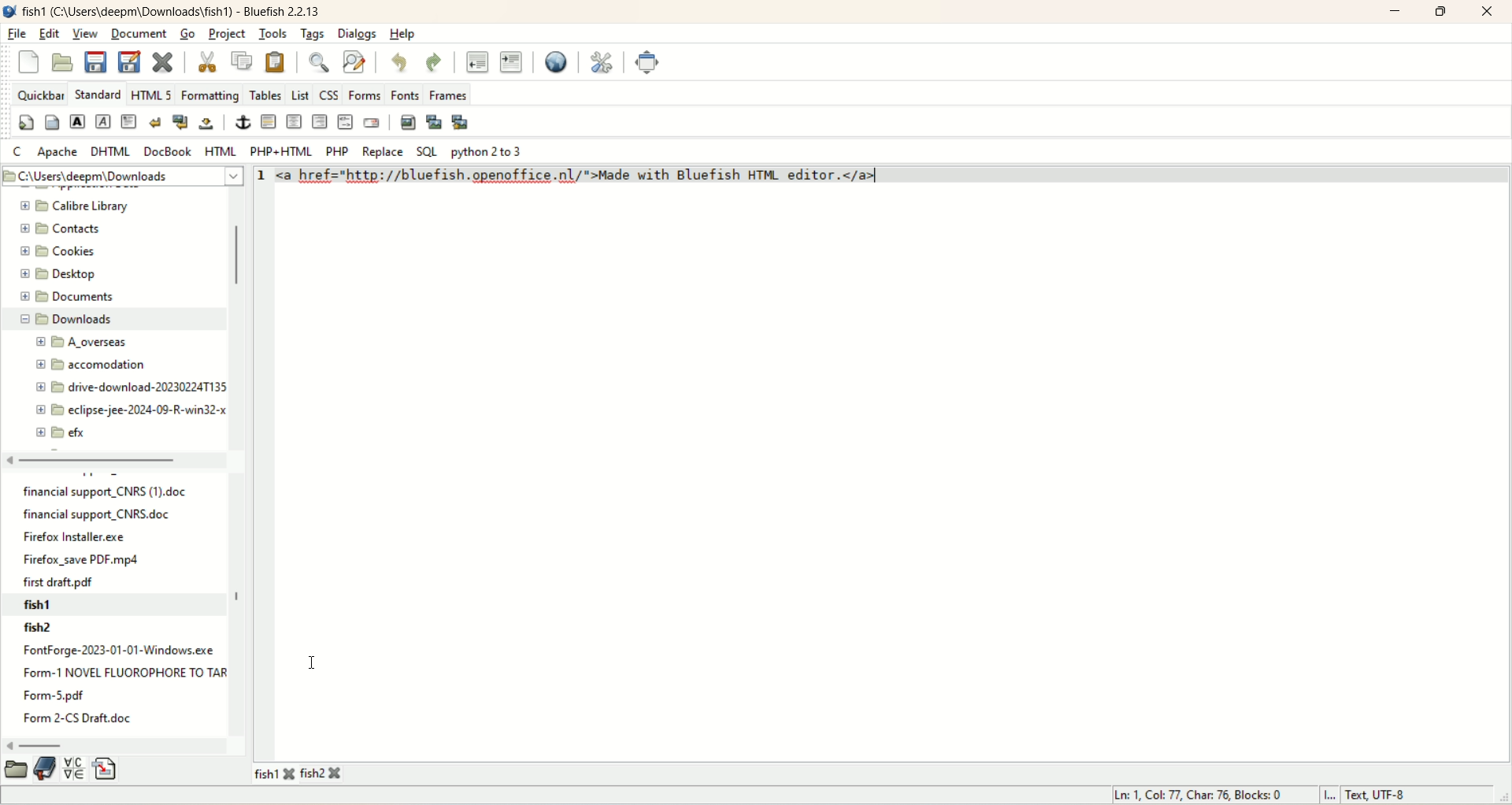  I want to click on documentation, so click(46, 769).